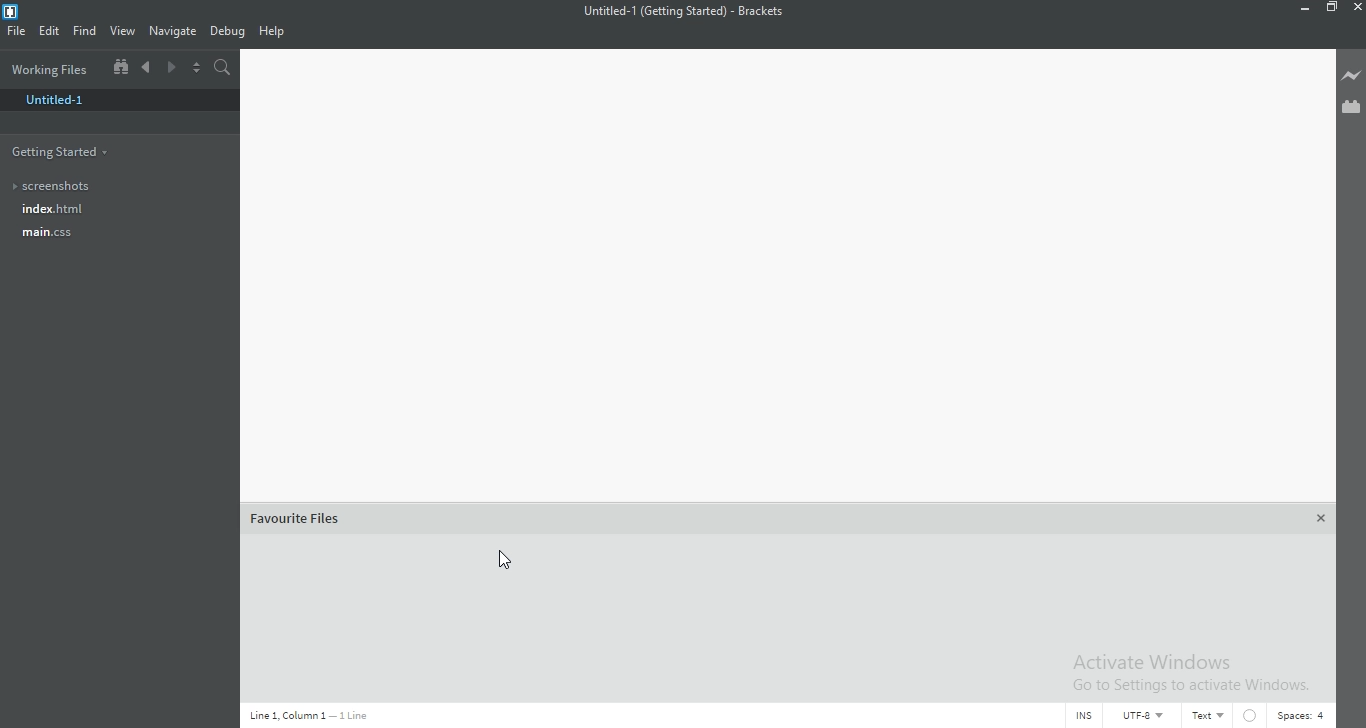 Image resolution: width=1366 pixels, height=728 pixels. Describe the element at coordinates (1302, 8) in the screenshot. I see `Minimise` at that location.